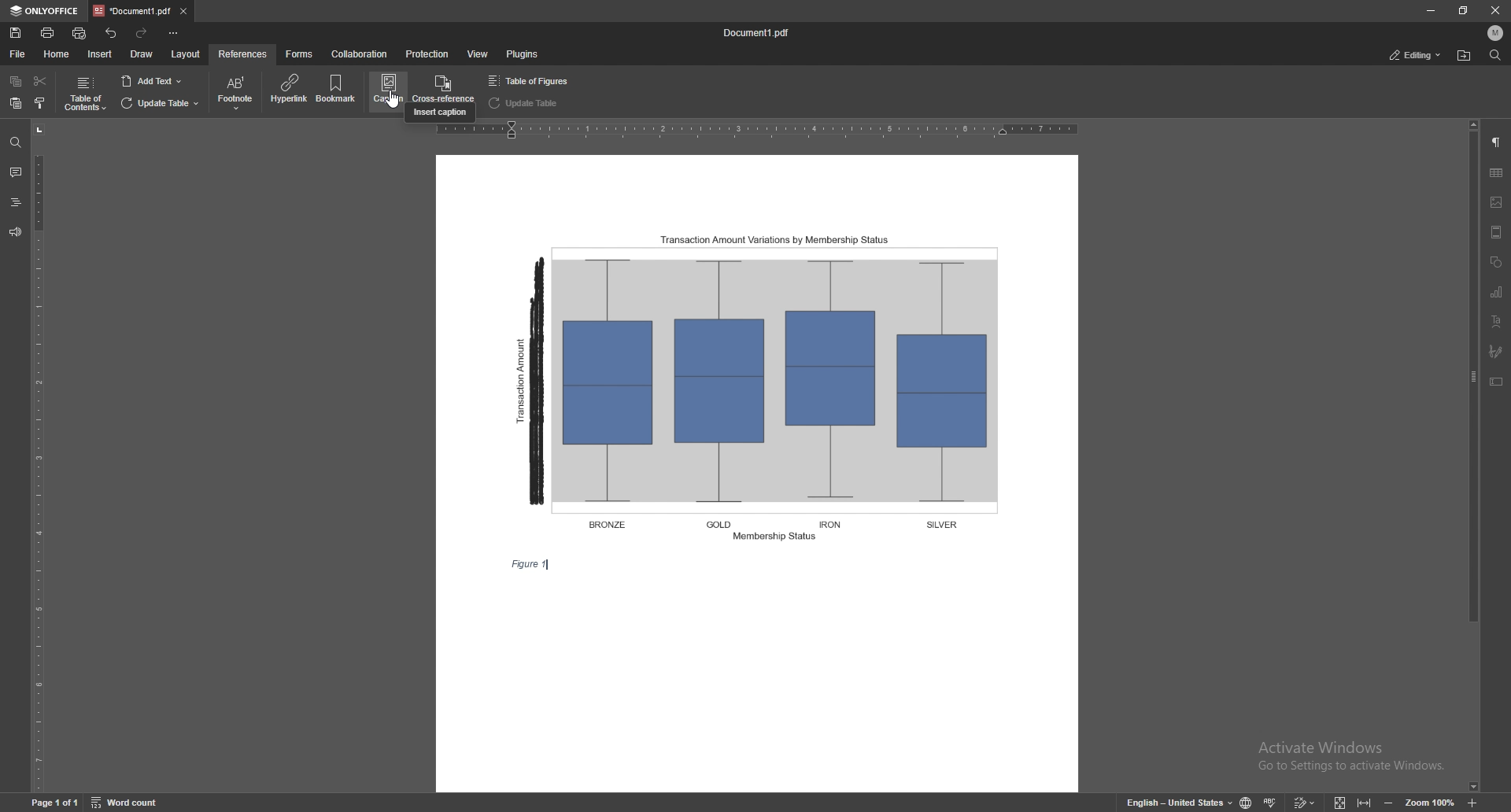 The image size is (1511, 812). What do you see at coordinates (57, 54) in the screenshot?
I see `home` at bounding box center [57, 54].